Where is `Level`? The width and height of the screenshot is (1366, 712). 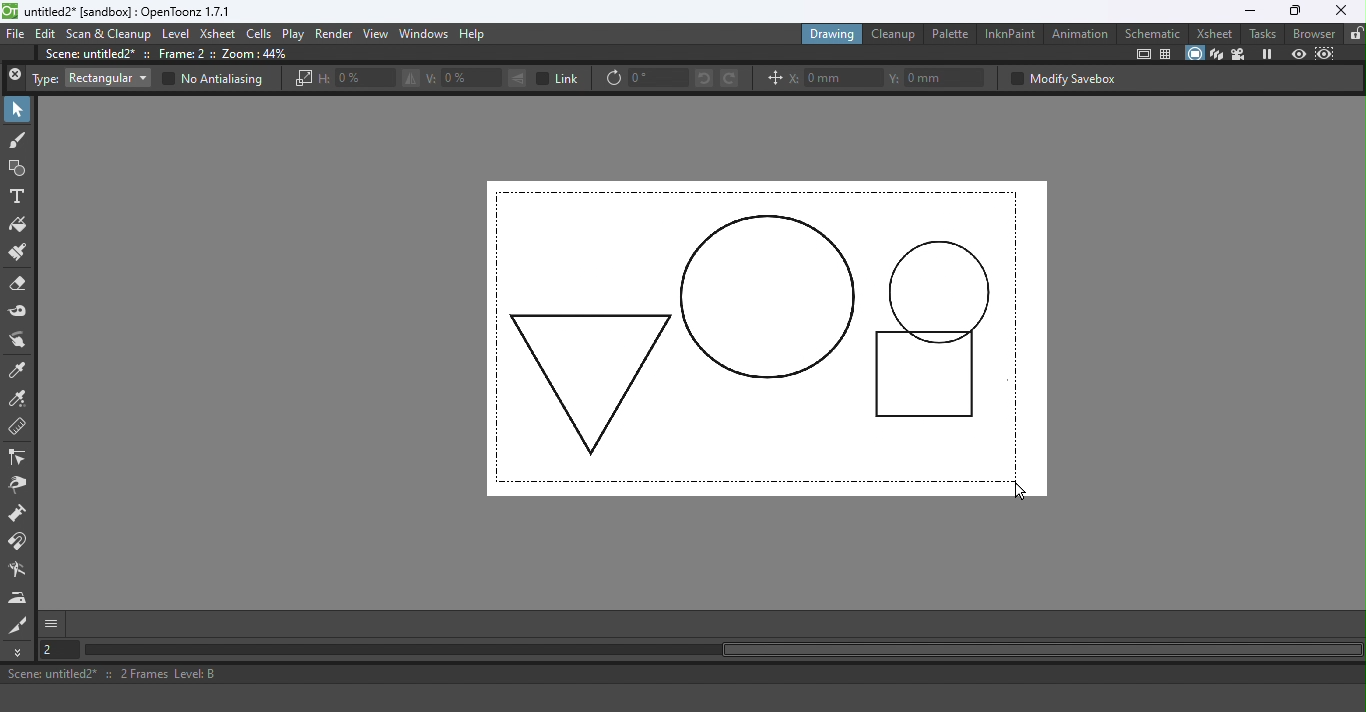
Level is located at coordinates (175, 35).